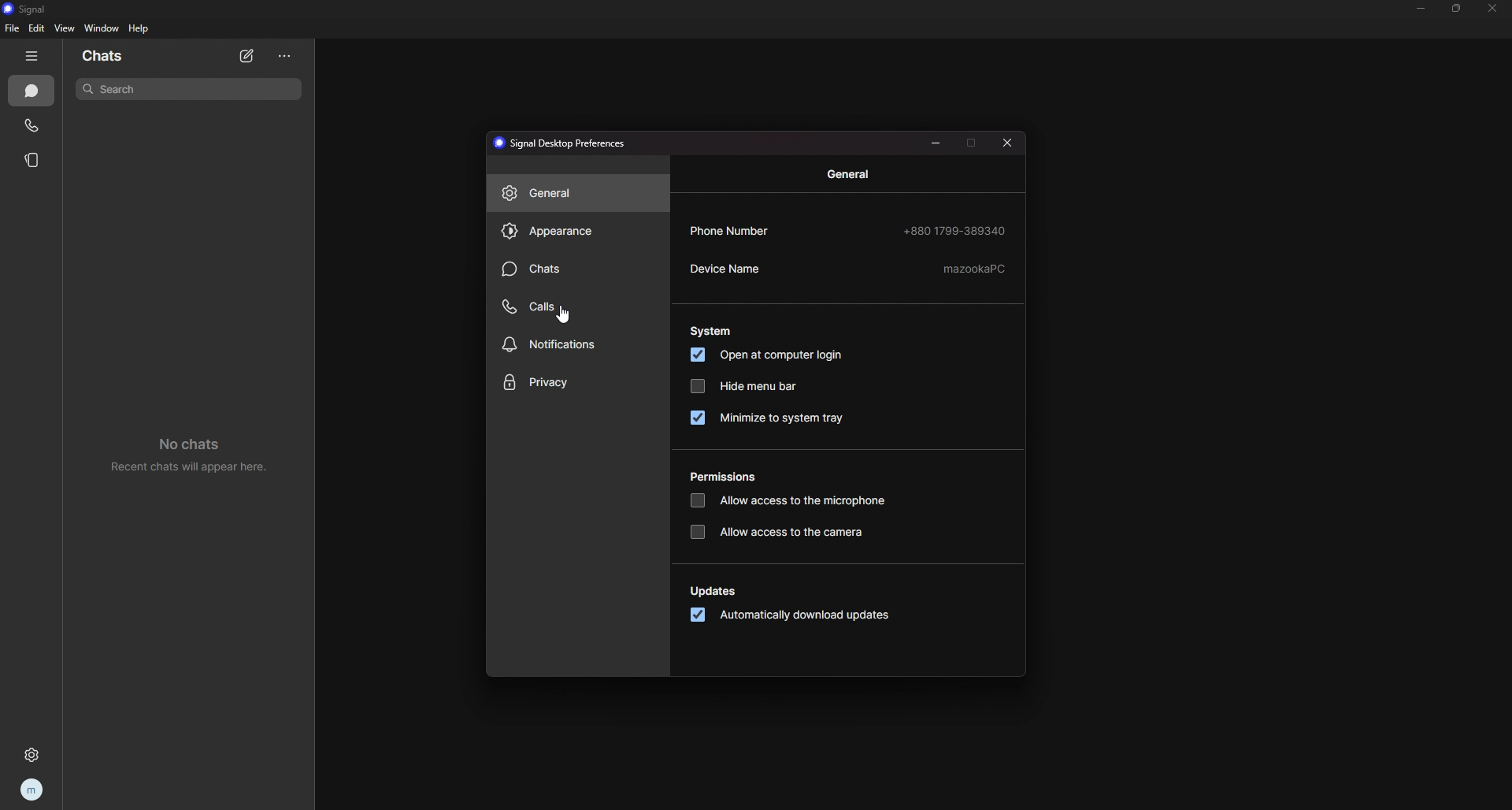 The width and height of the screenshot is (1512, 810). Describe the element at coordinates (187, 454) in the screenshot. I see `no chats` at that location.